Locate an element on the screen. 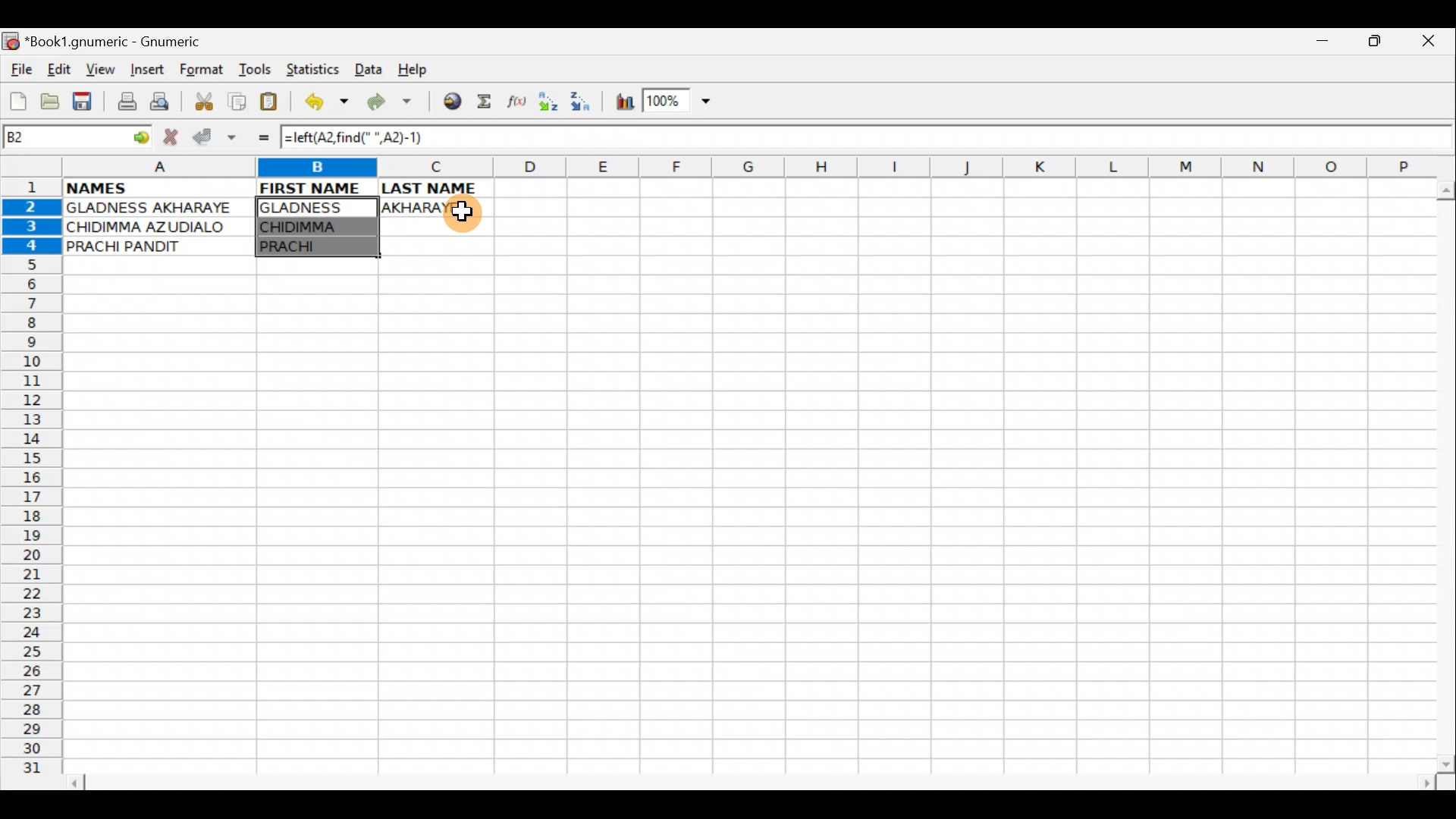 This screenshot has width=1456, height=819. LAST NAME is located at coordinates (443, 190).